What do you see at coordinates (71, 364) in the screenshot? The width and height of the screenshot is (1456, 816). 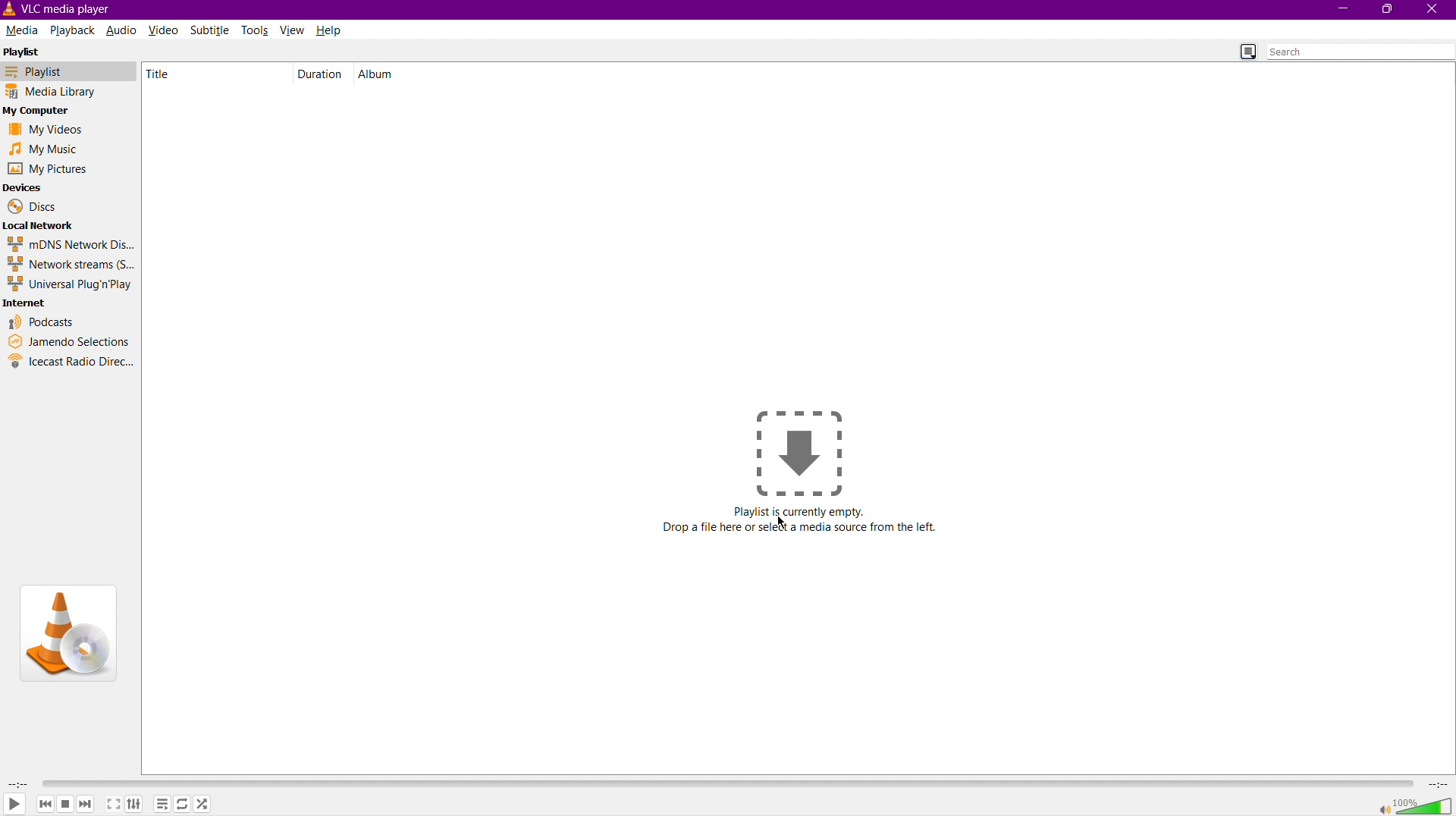 I see `Icecast Radio Directory` at bounding box center [71, 364].